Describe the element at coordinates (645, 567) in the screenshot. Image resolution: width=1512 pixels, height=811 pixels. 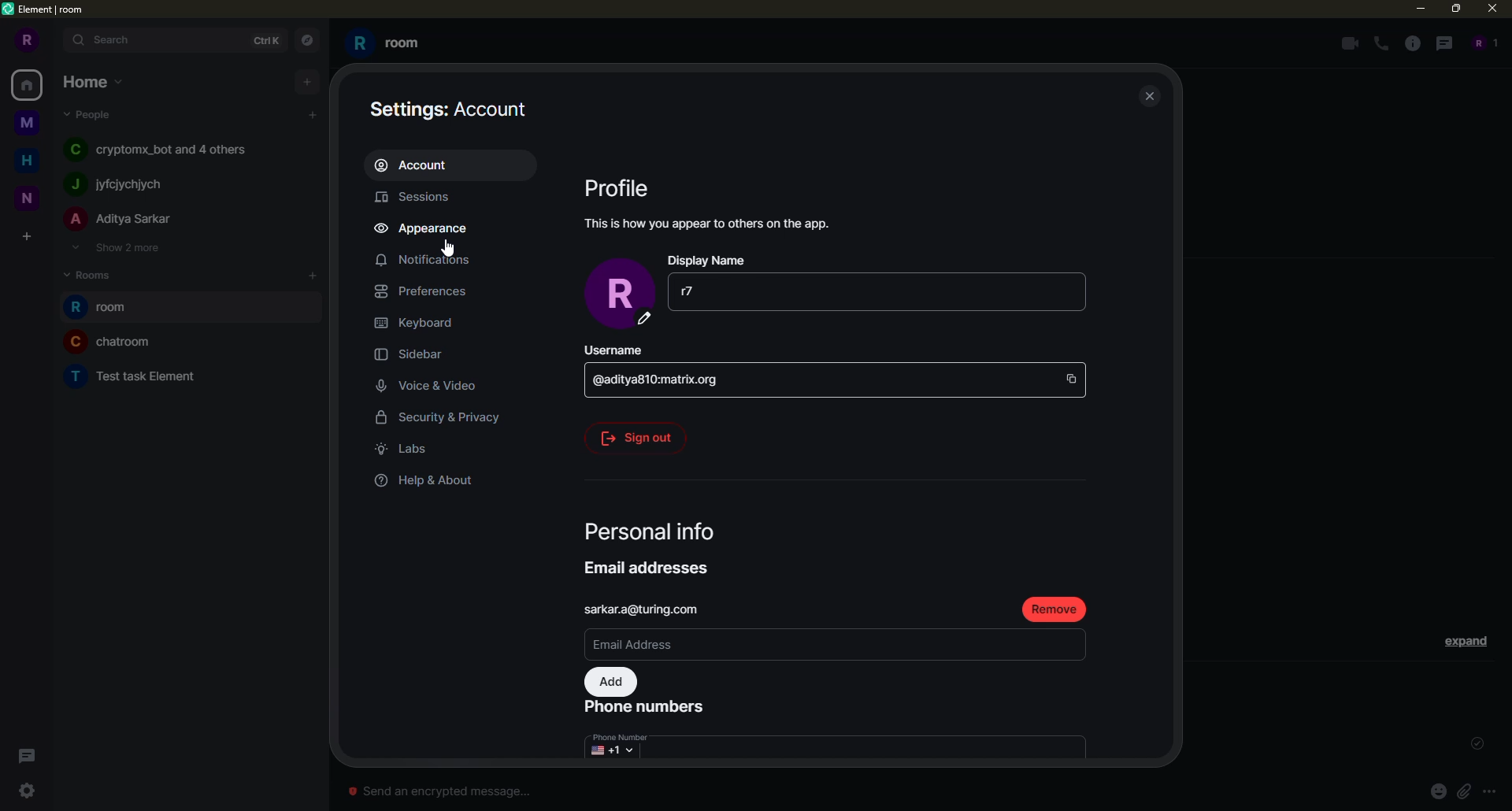
I see `email` at that location.